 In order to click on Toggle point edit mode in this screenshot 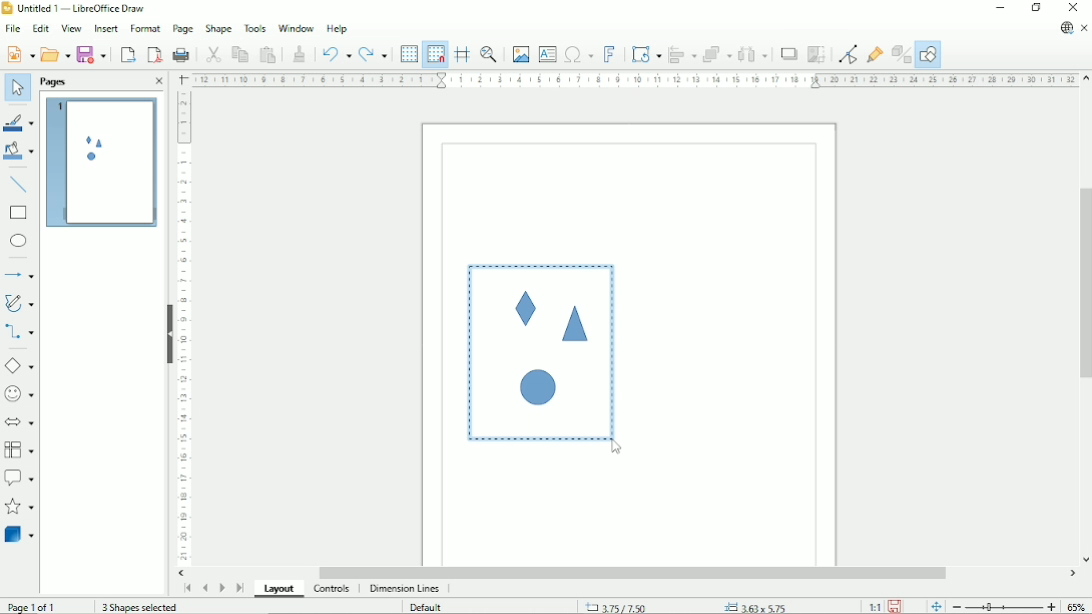, I will do `click(847, 54)`.